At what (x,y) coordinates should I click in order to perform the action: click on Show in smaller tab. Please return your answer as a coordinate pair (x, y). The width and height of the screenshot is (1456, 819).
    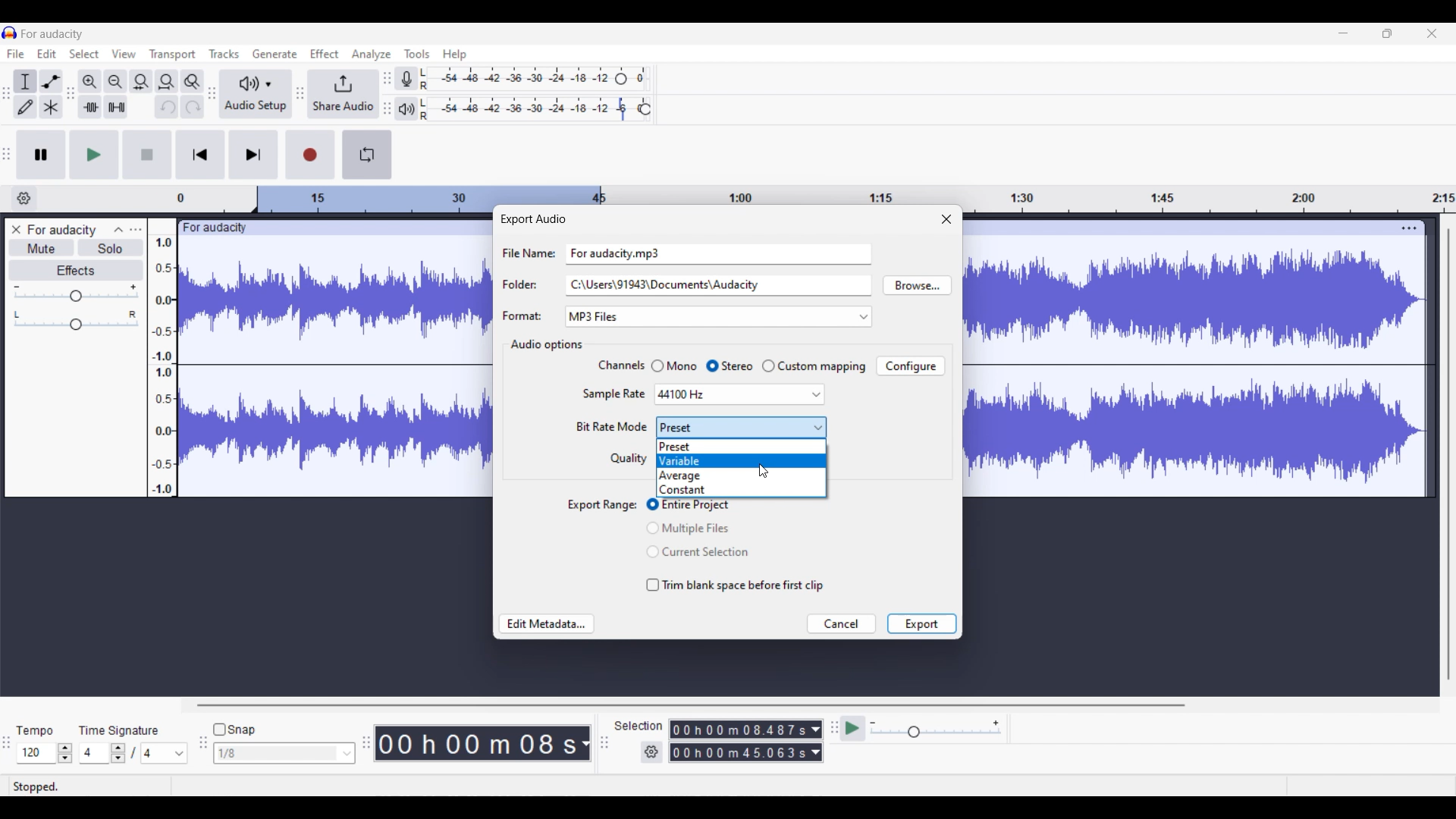
    Looking at the image, I should click on (1387, 33).